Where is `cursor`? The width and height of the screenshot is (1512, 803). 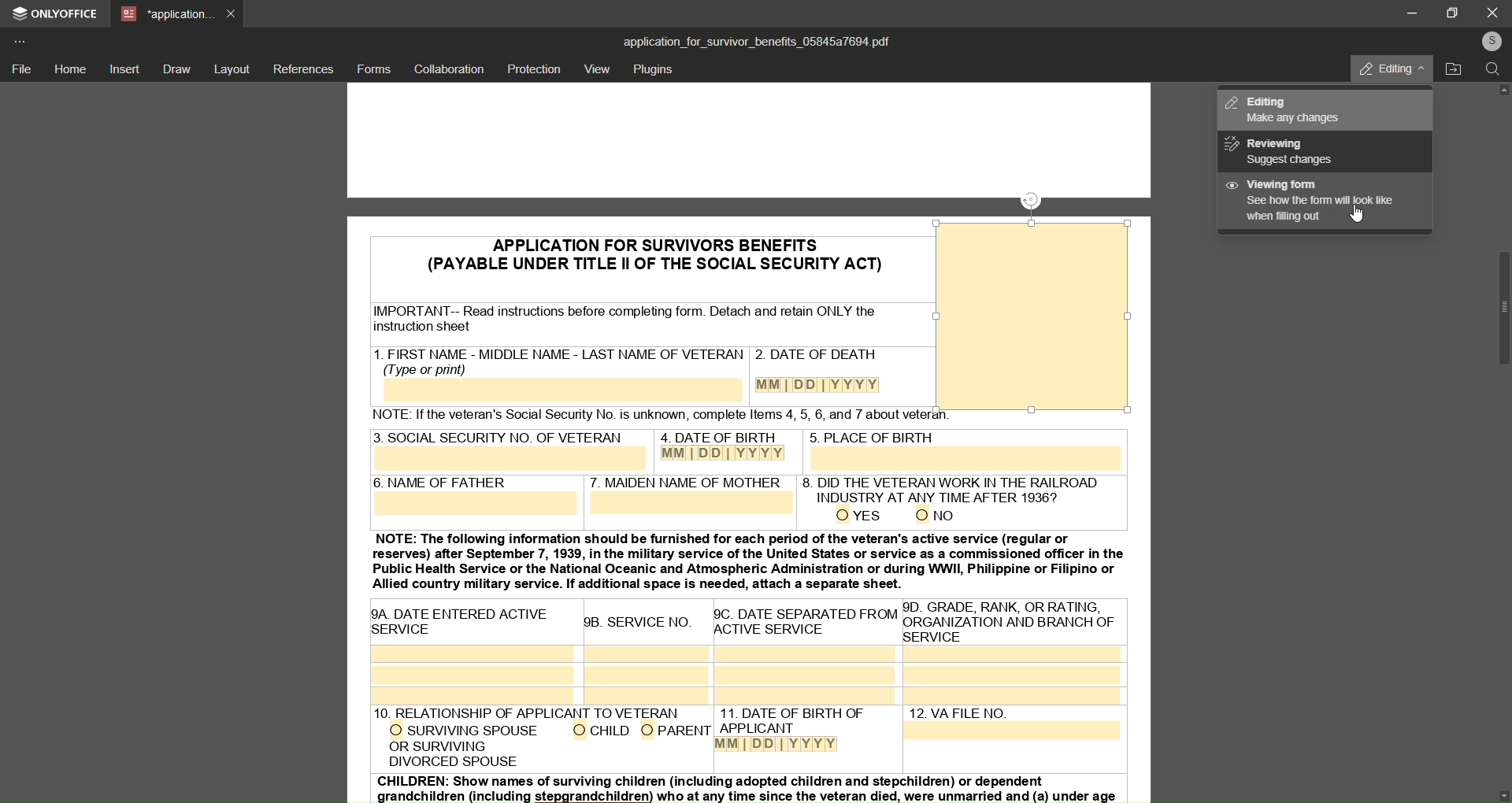 cursor is located at coordinates (1350, 221).